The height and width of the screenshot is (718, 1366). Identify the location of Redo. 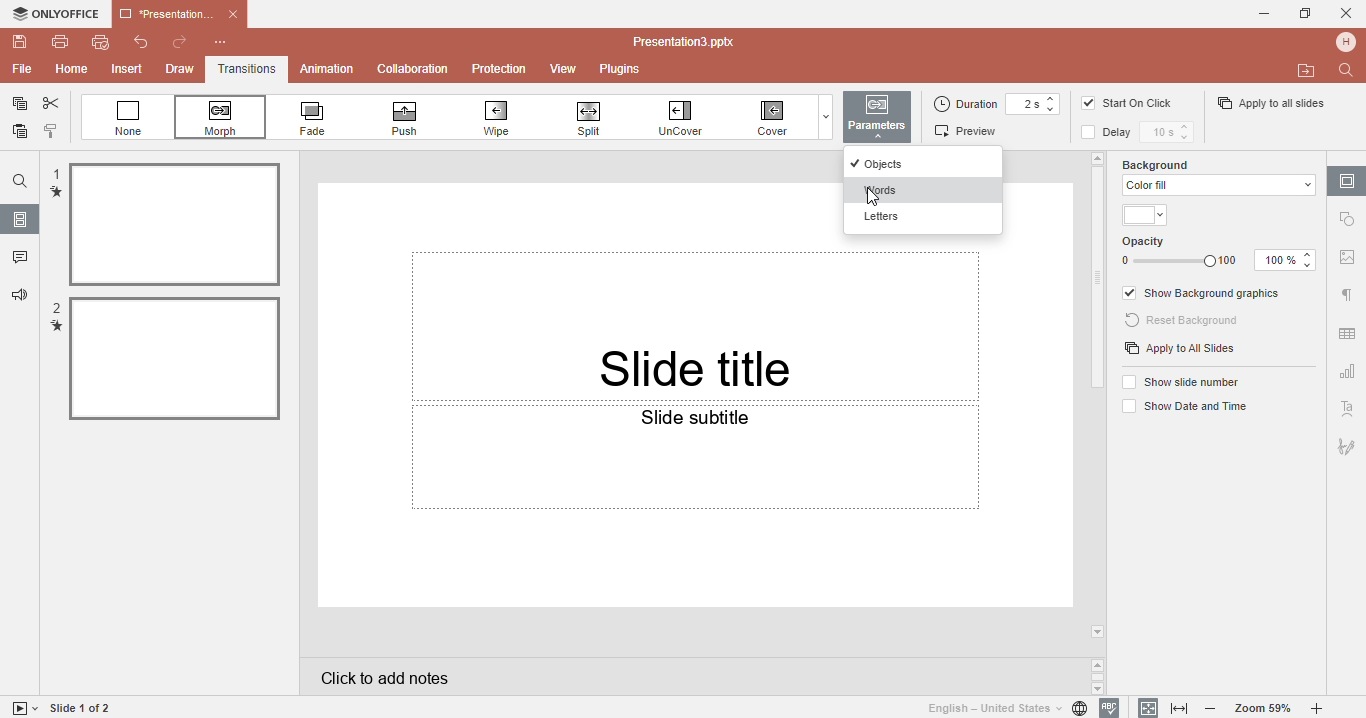
(179, 43).